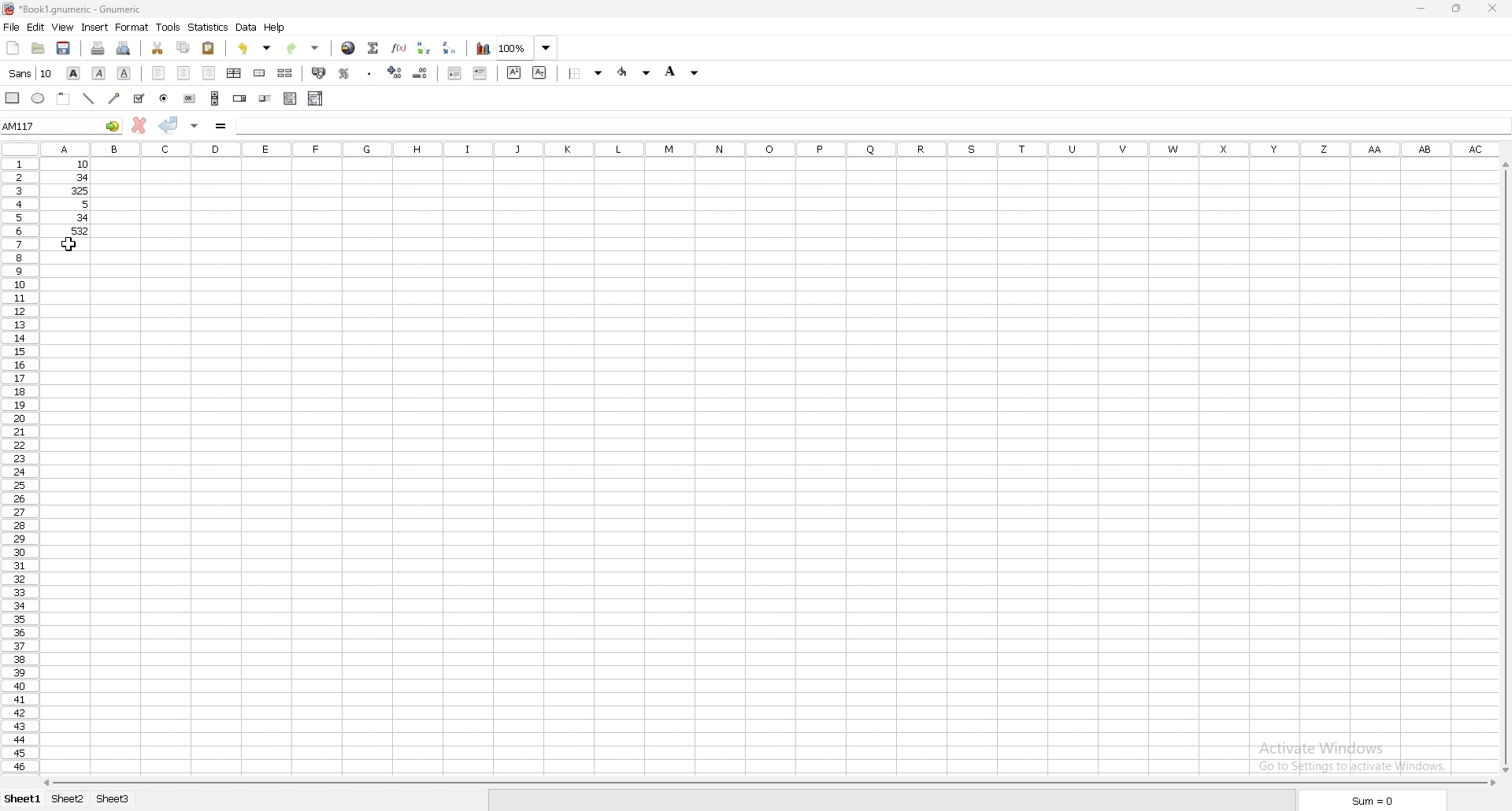 Image resolution: width=1512 pixels, height=811 pixels. Describe the element at coordinates (220, 125) in the screenshot. I see `formula` at that location.